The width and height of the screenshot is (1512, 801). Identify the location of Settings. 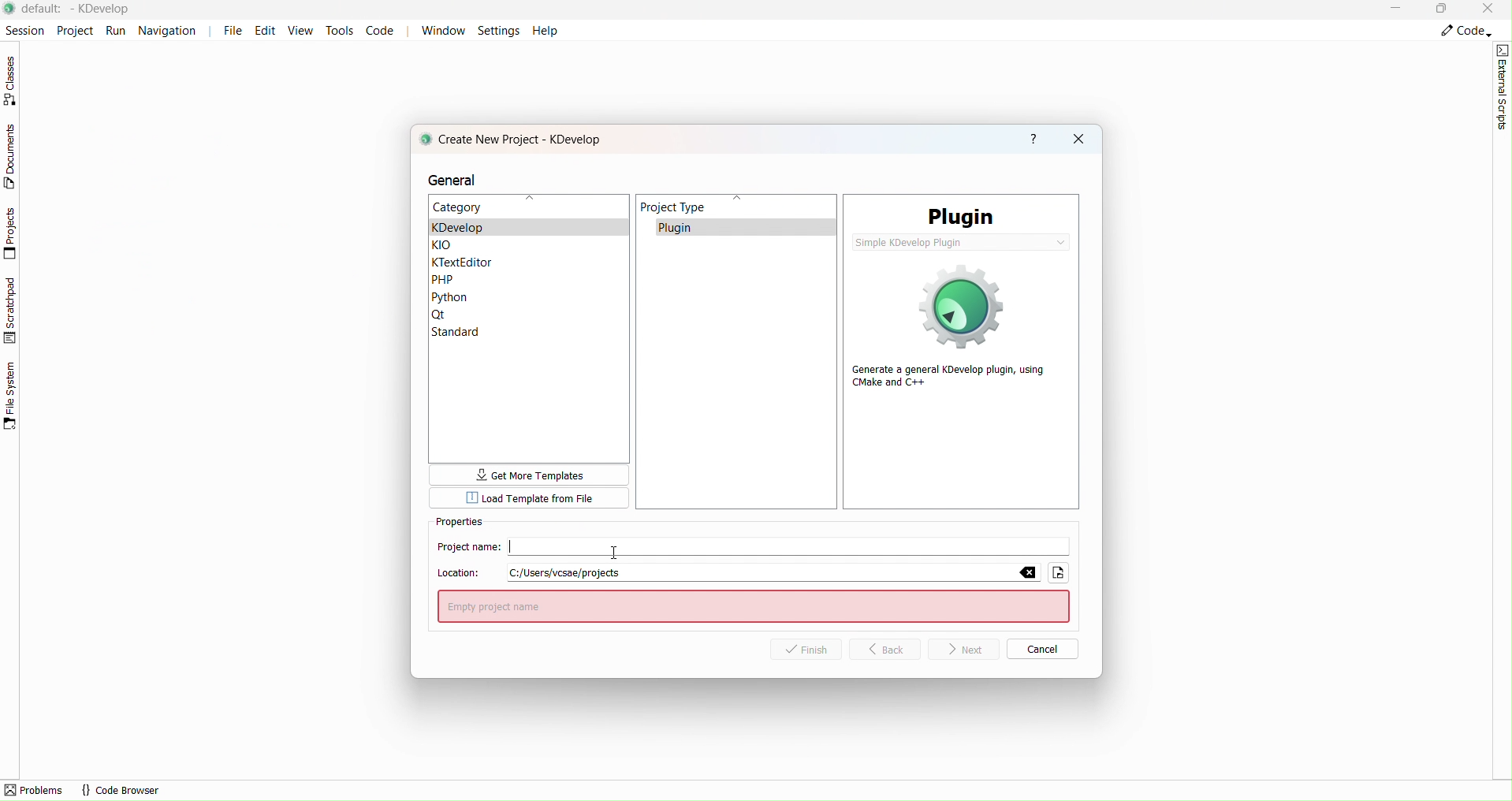
(500, 30).